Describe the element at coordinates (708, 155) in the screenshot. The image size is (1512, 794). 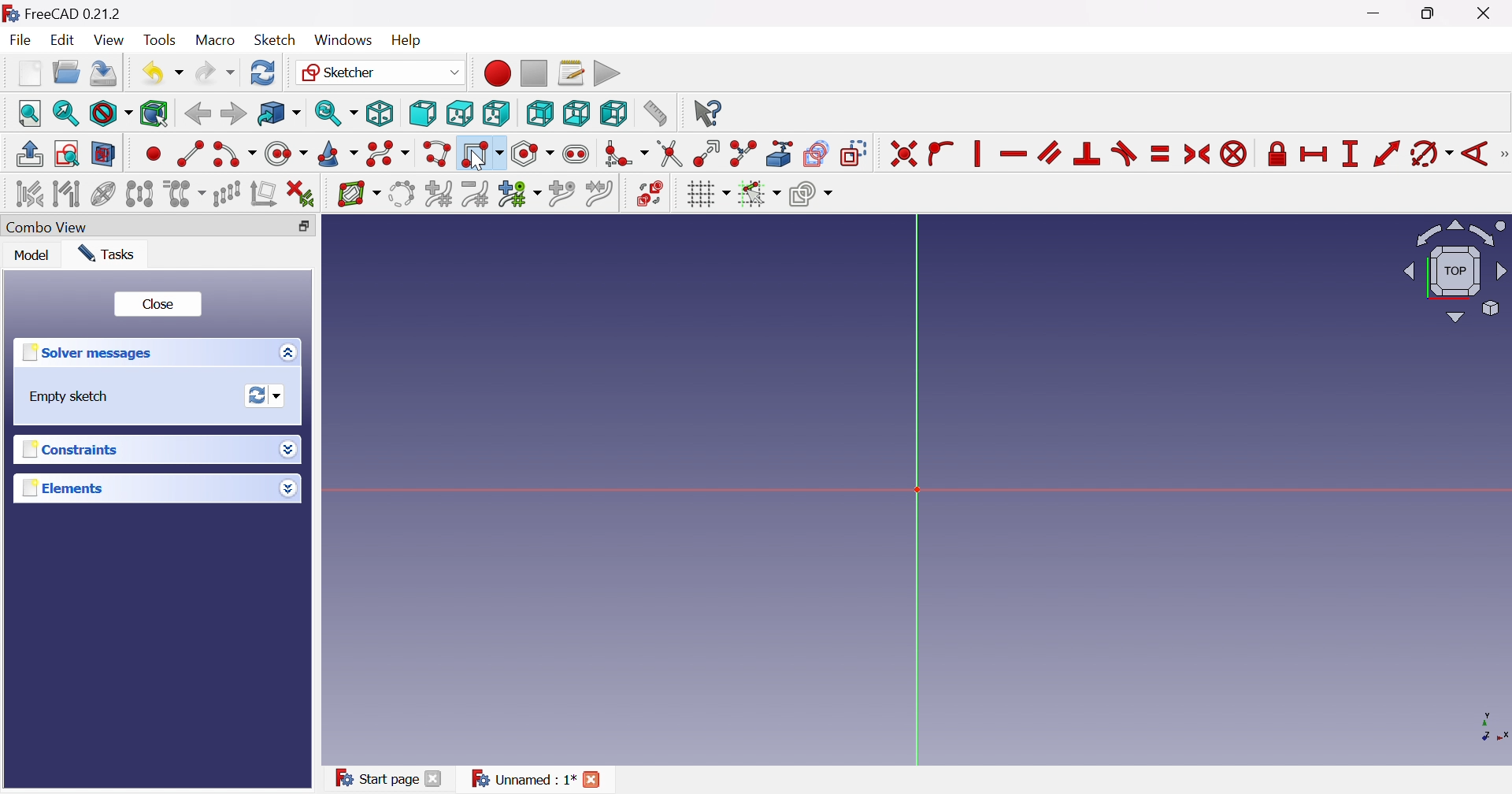
I see `Extend edge` at that location.